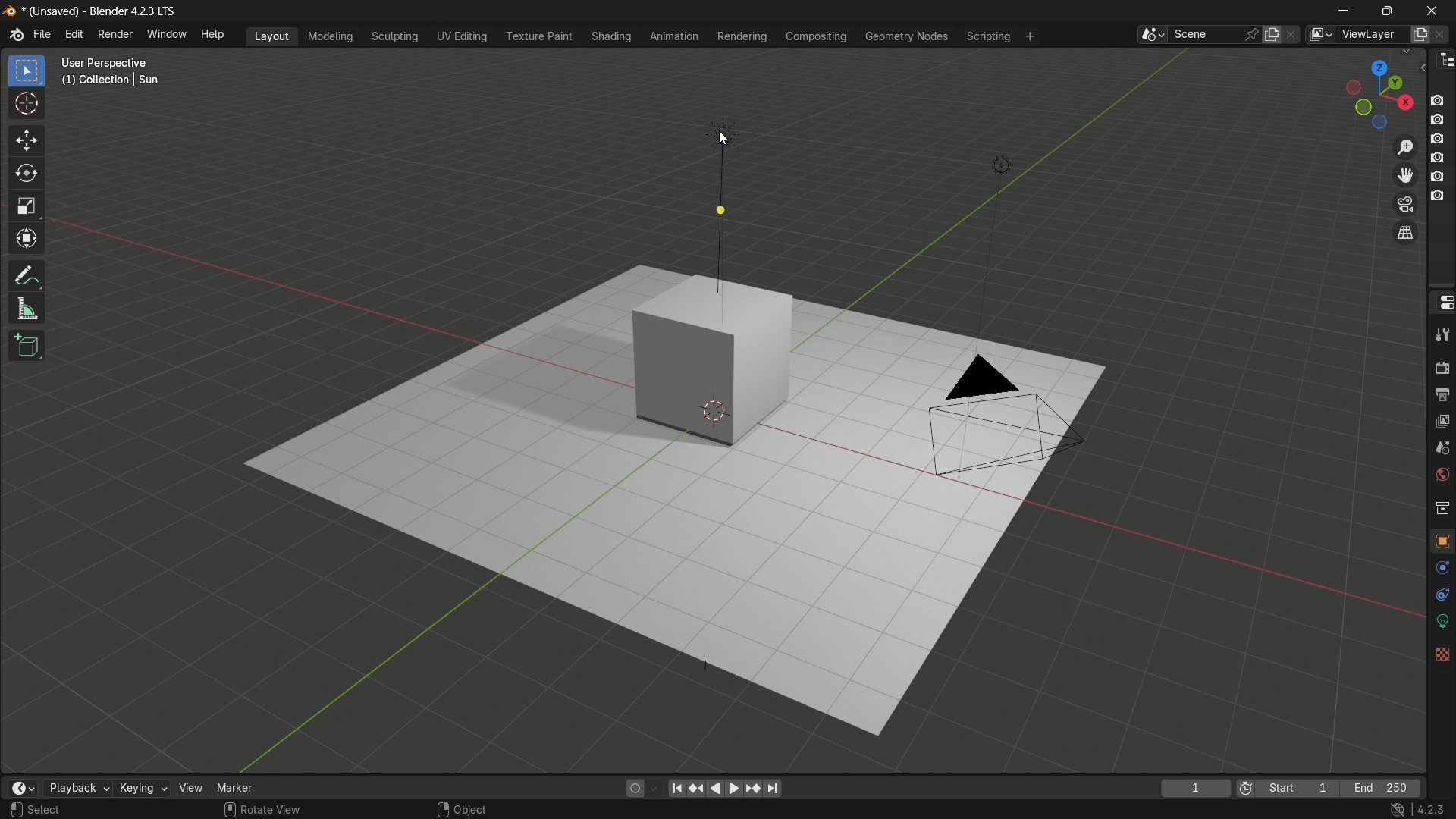 The width and height of the screenshot is (1456, 819). I want to click on properties, so click(1442, 306).